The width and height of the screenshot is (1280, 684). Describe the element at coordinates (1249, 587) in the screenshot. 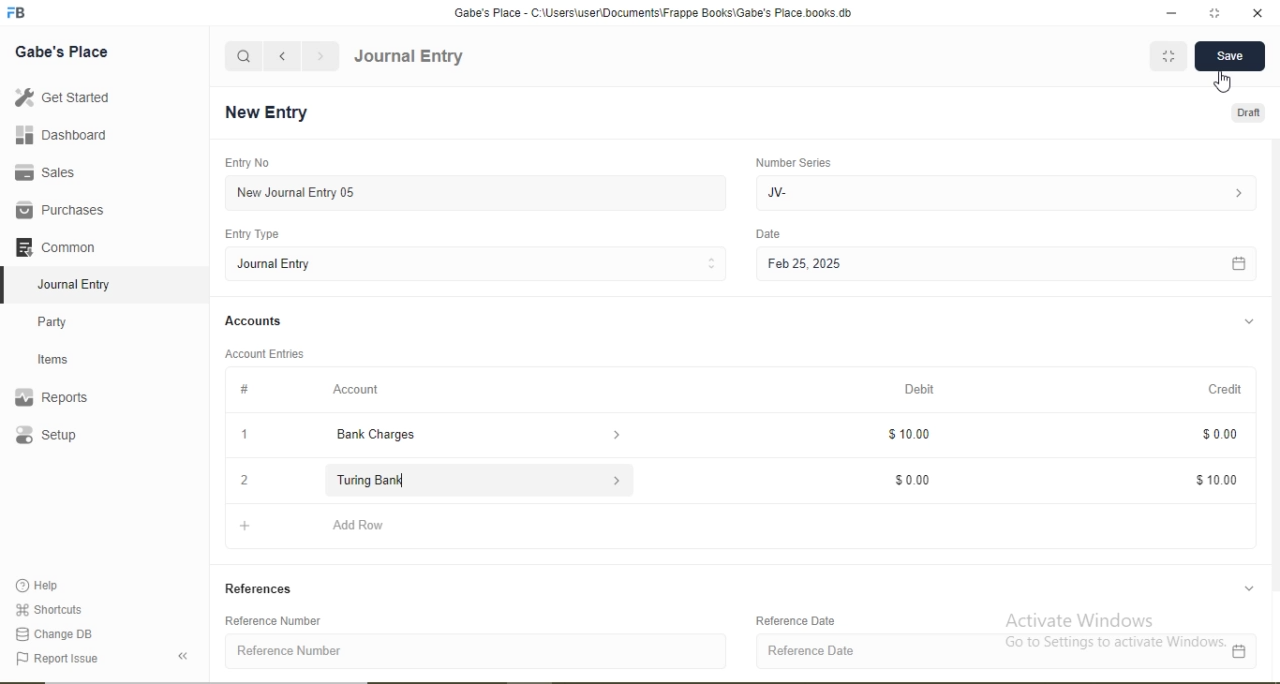

I see `collapse/expand` at that location.